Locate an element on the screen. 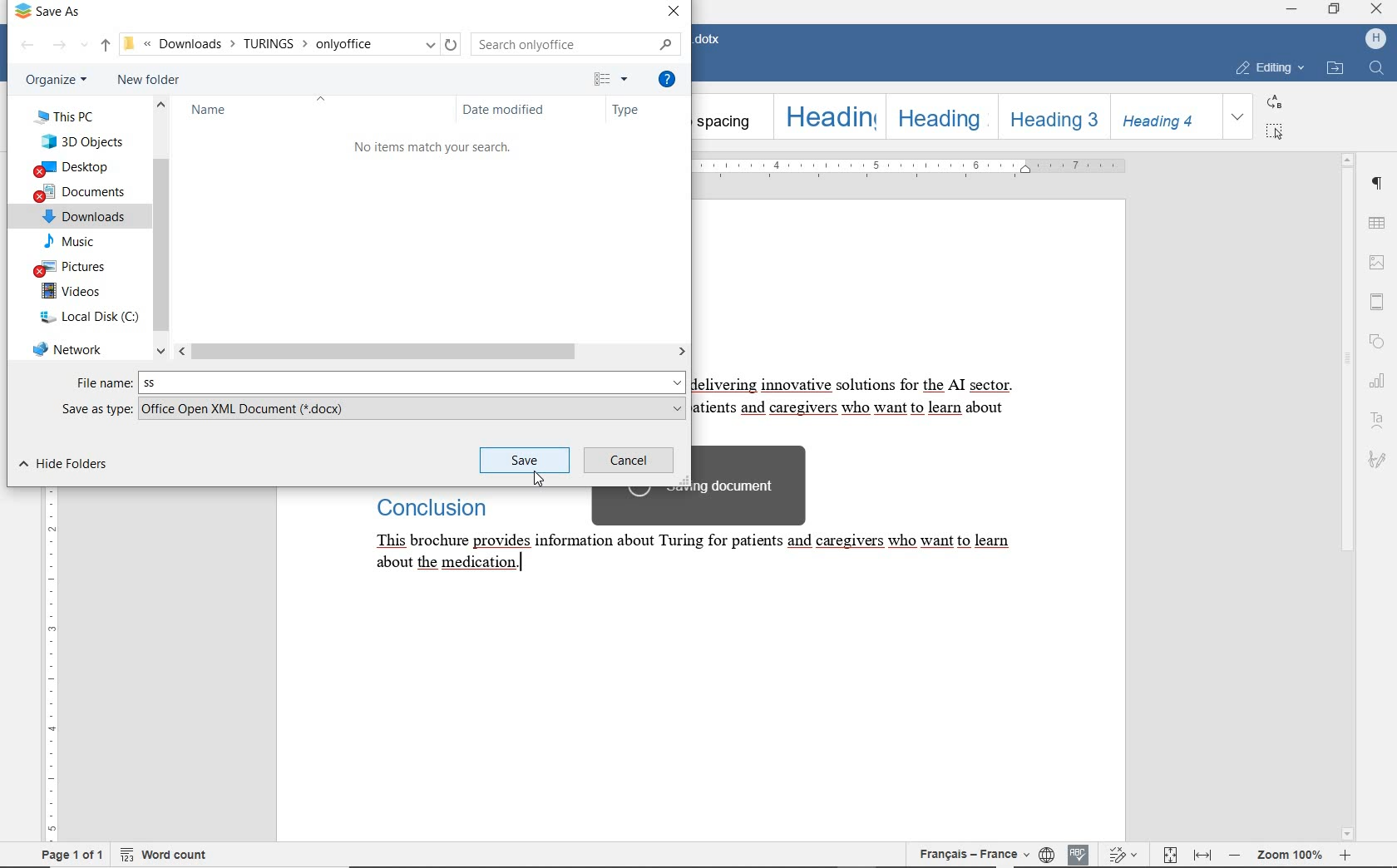  VIDEOS is located at coordinates (72, 291).